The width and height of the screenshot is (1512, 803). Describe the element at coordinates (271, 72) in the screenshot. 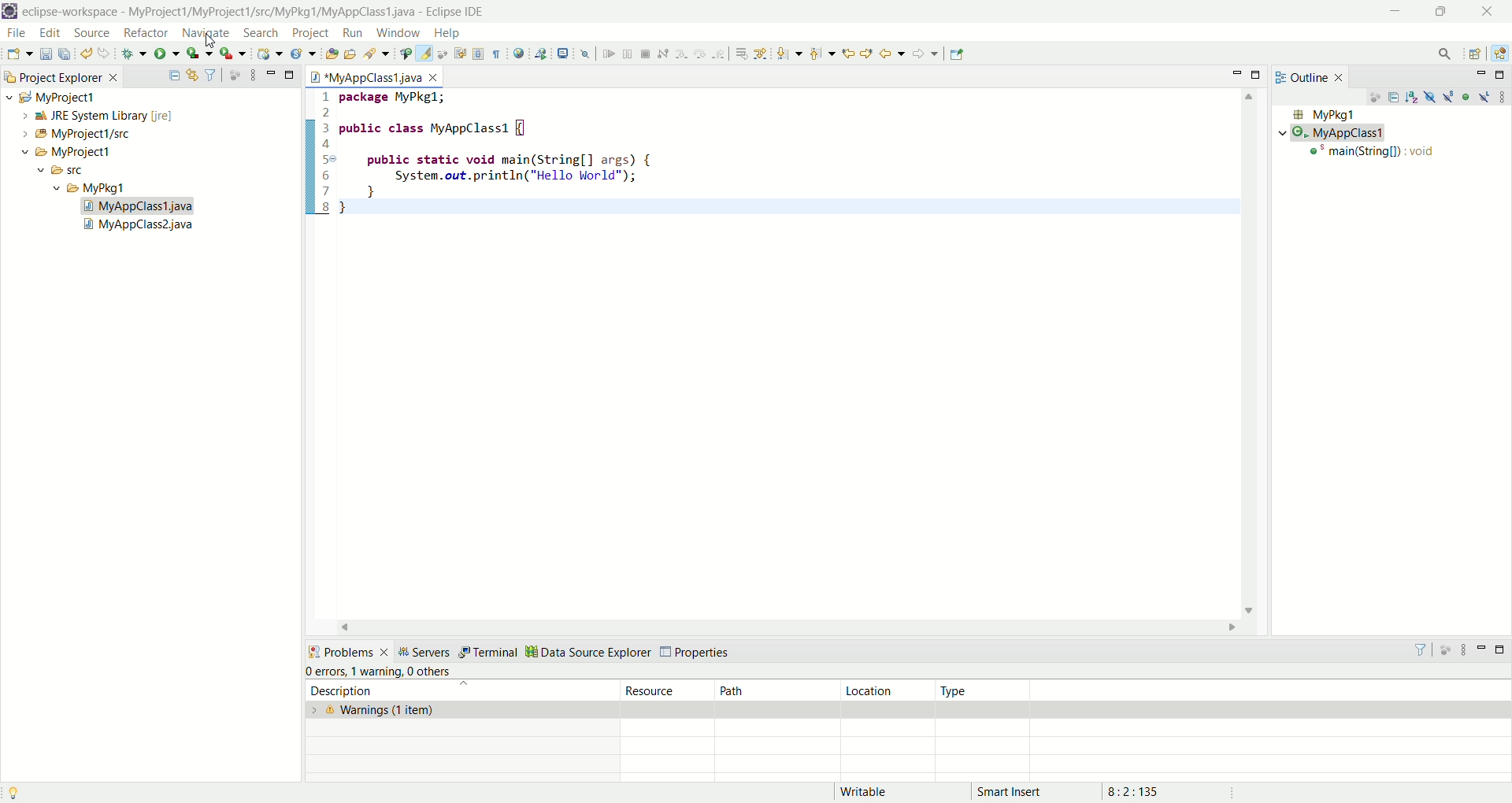

I see `minimize` at that location.